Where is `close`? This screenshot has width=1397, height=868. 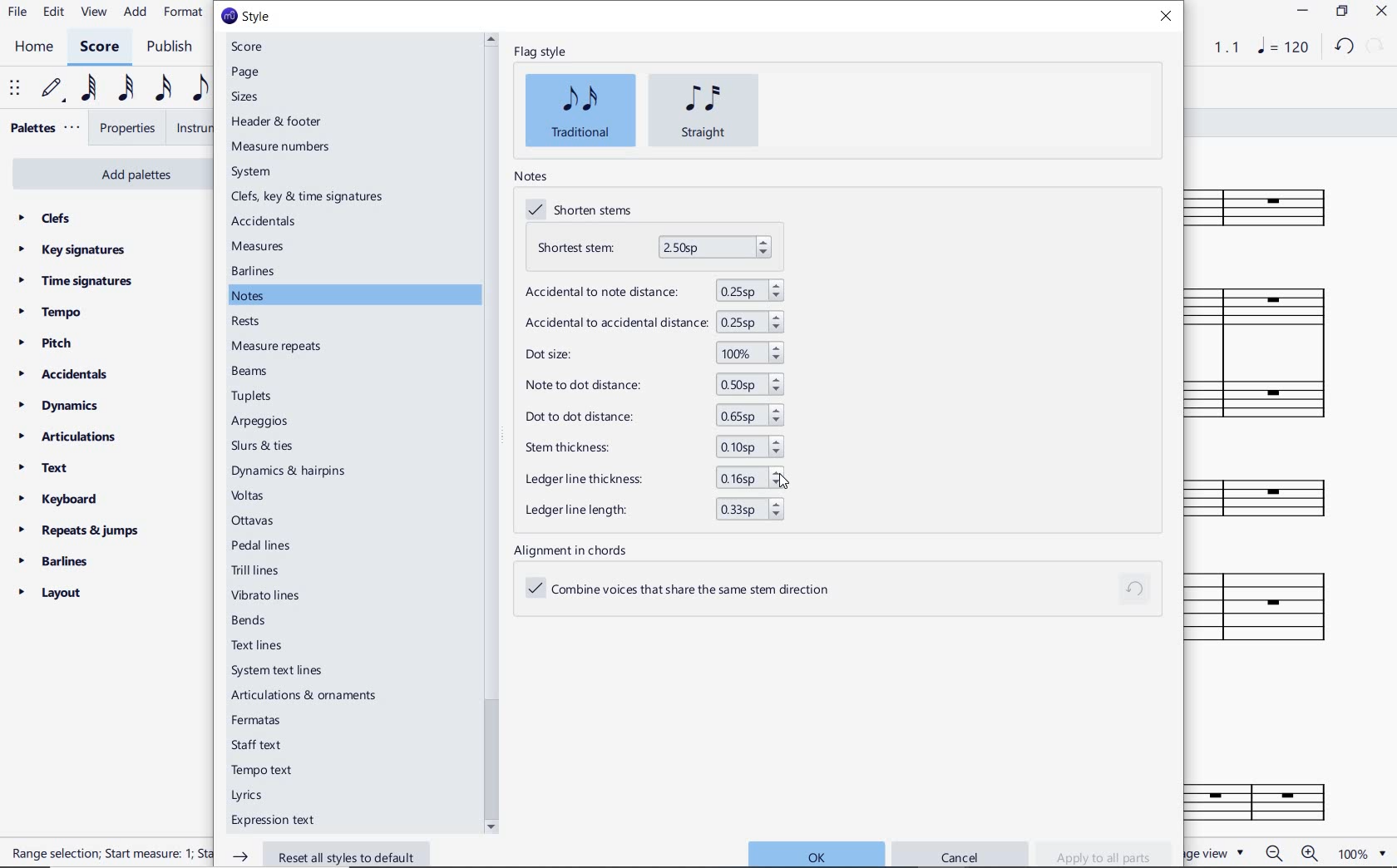
close is located at coordinates (1166, 17).